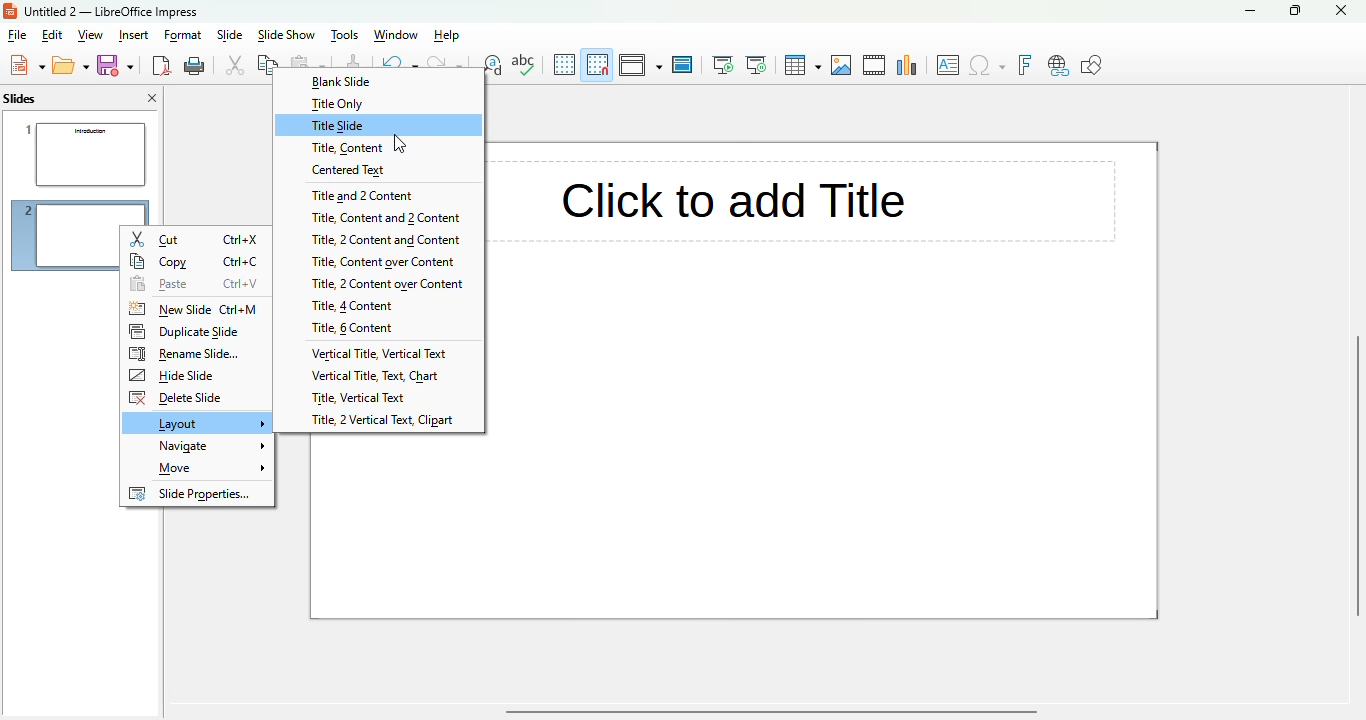 The image size is (1366, 720). Describe the element at coordinates (948, 65) in the screenshot. I see `insert textbox` at that location.